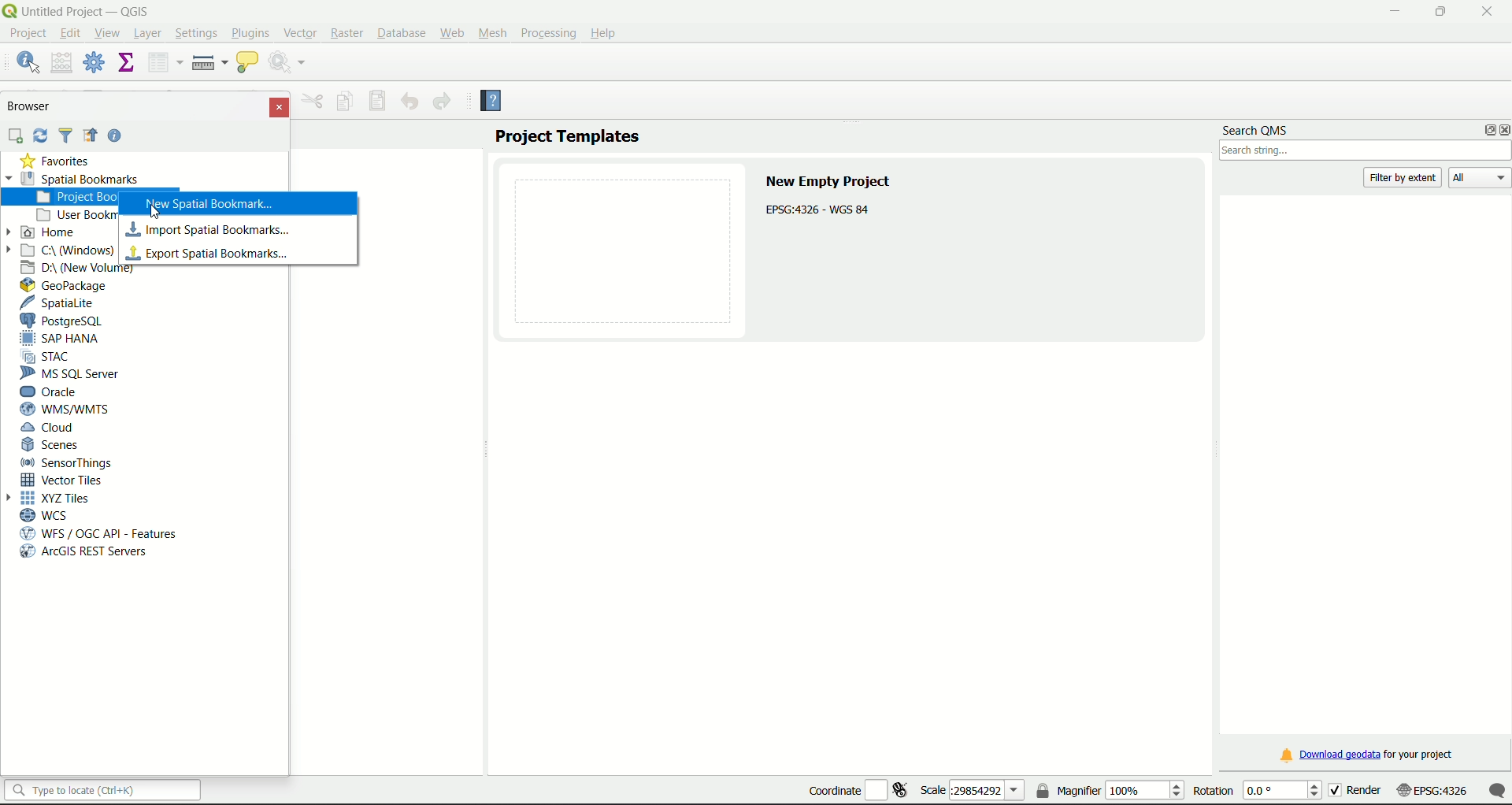 The height and width of the screenshot is (805, 1512). What do you see at coordinates (247, 63) in the screenshot?
I see `show map tips` at bounding box center [247, 63].